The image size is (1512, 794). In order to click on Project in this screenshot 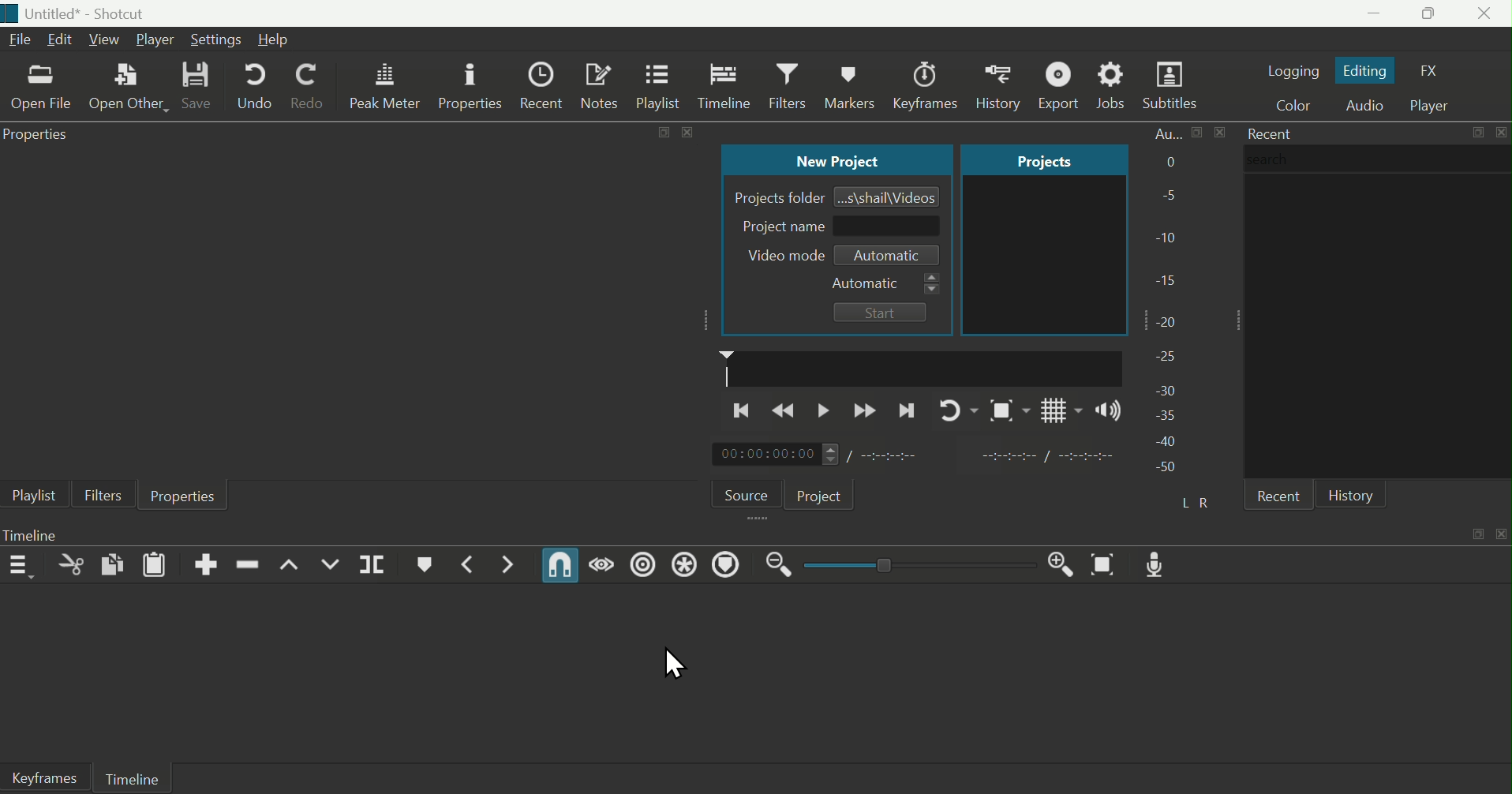, I will do `click(821, 493)`.